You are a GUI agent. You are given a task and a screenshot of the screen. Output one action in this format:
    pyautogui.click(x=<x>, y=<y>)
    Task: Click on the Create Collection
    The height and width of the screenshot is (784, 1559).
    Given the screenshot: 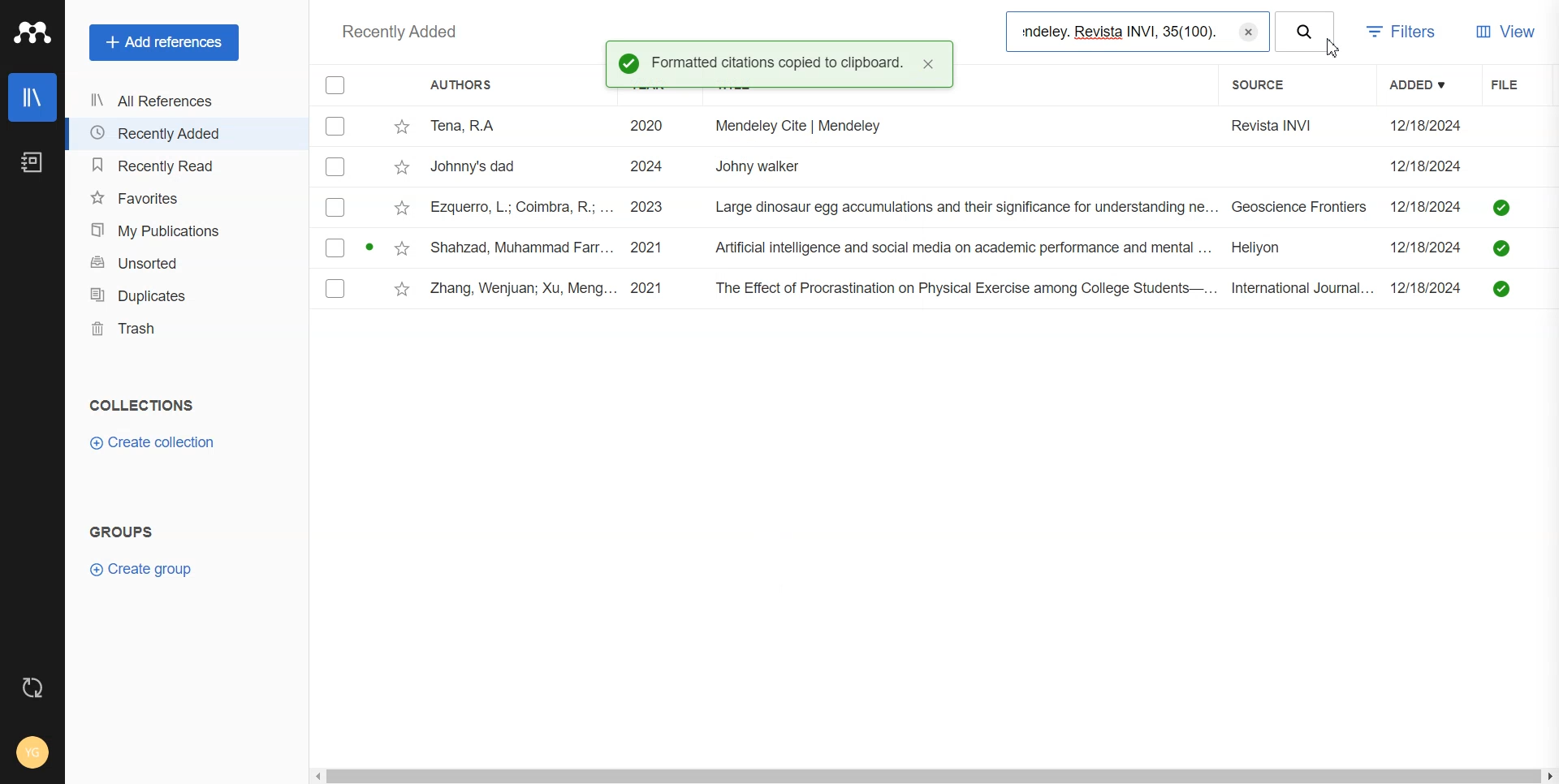 What is the action you would take?
    pyautogui.click(x=153, y=443)
    